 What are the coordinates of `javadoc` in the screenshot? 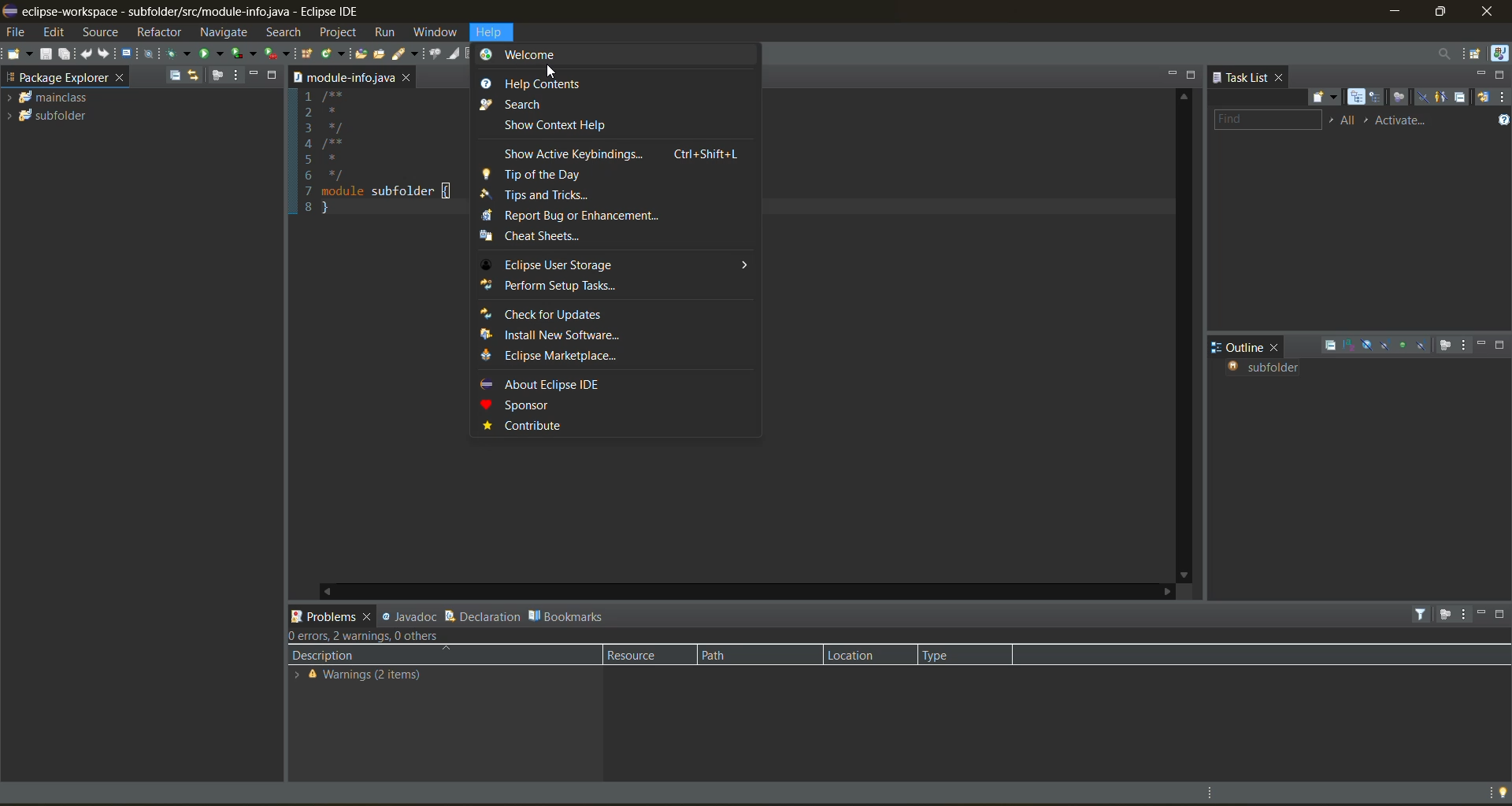 It's located at (409, 616).